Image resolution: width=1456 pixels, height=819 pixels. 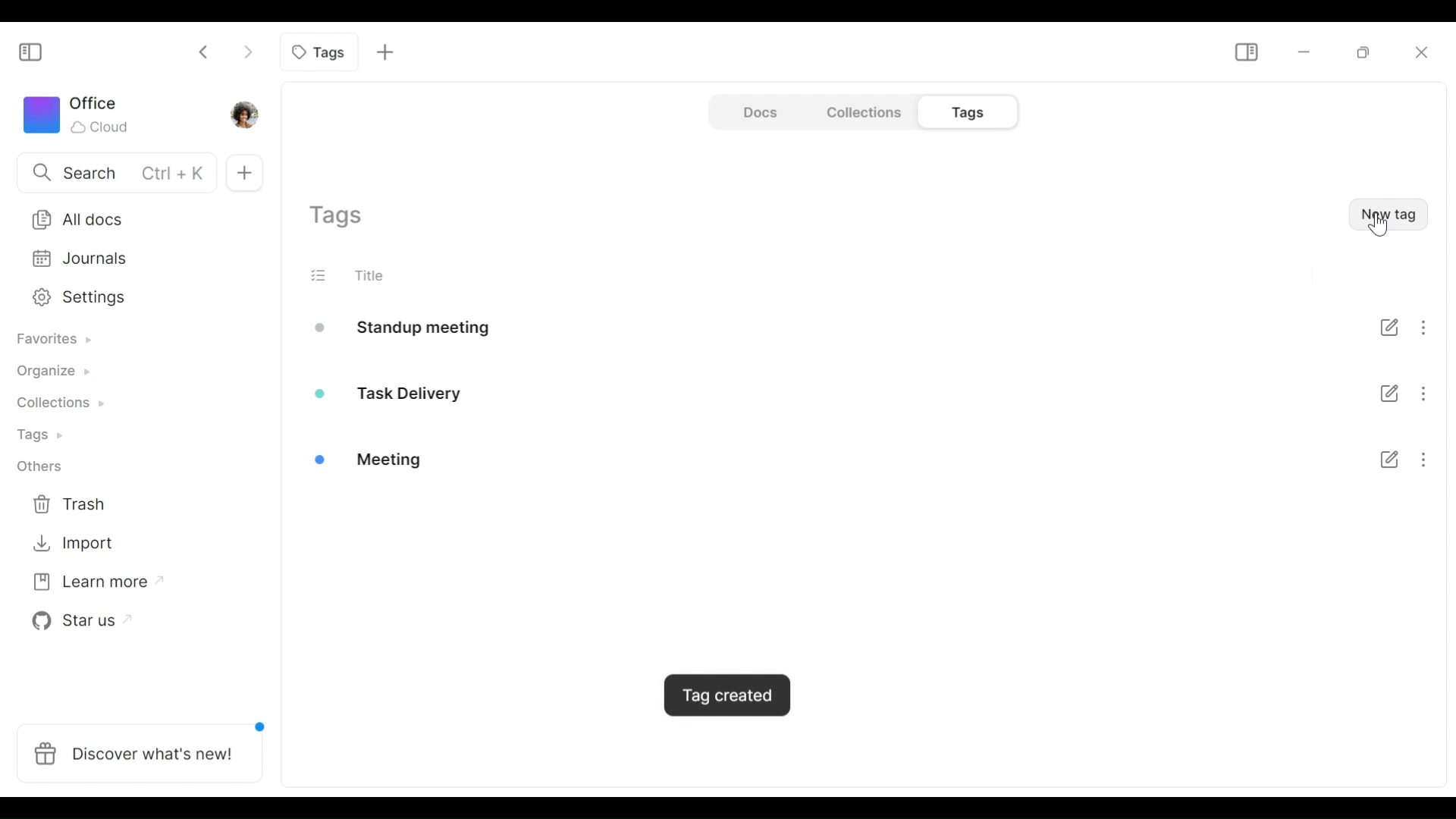 What do you see at coordinates (110, 174) in the screenshot?
I see `Search` at bounding box center [110, 174].